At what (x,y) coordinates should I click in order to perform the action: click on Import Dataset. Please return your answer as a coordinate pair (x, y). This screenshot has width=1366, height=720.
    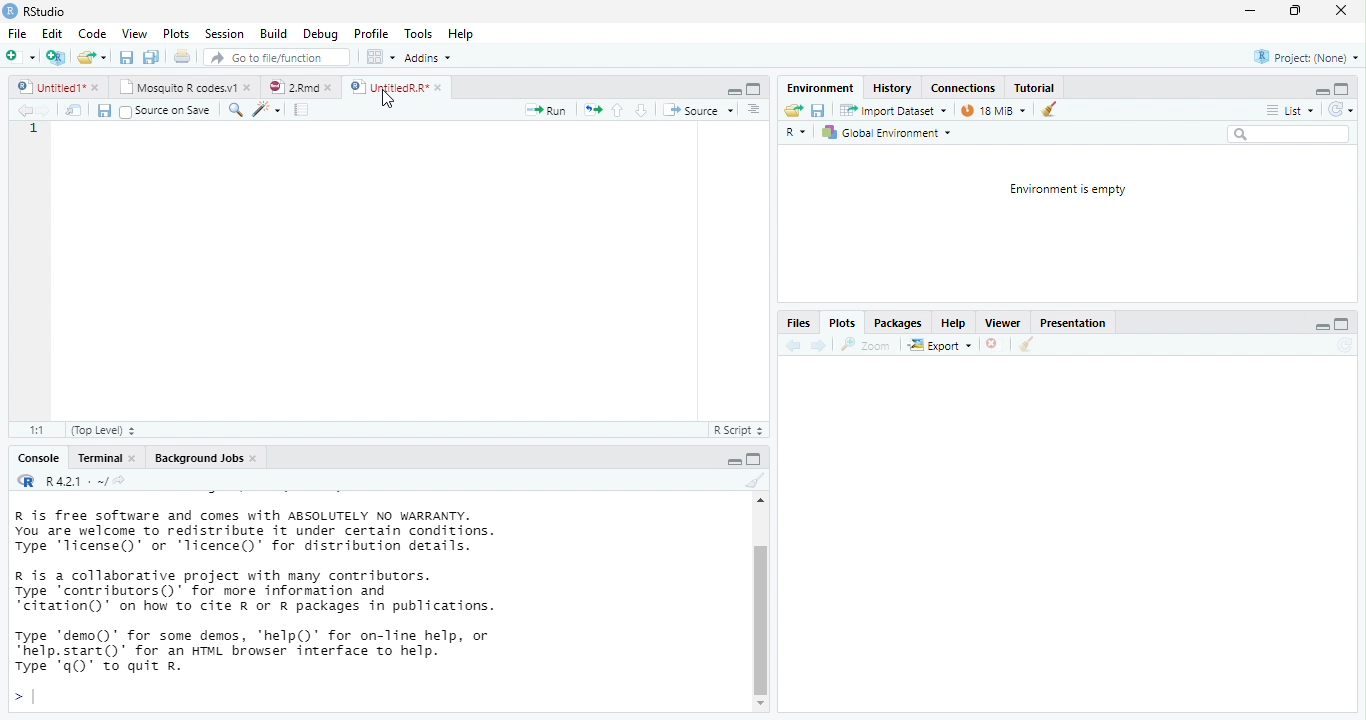
    Looking at the image, I should click on (895, 110).